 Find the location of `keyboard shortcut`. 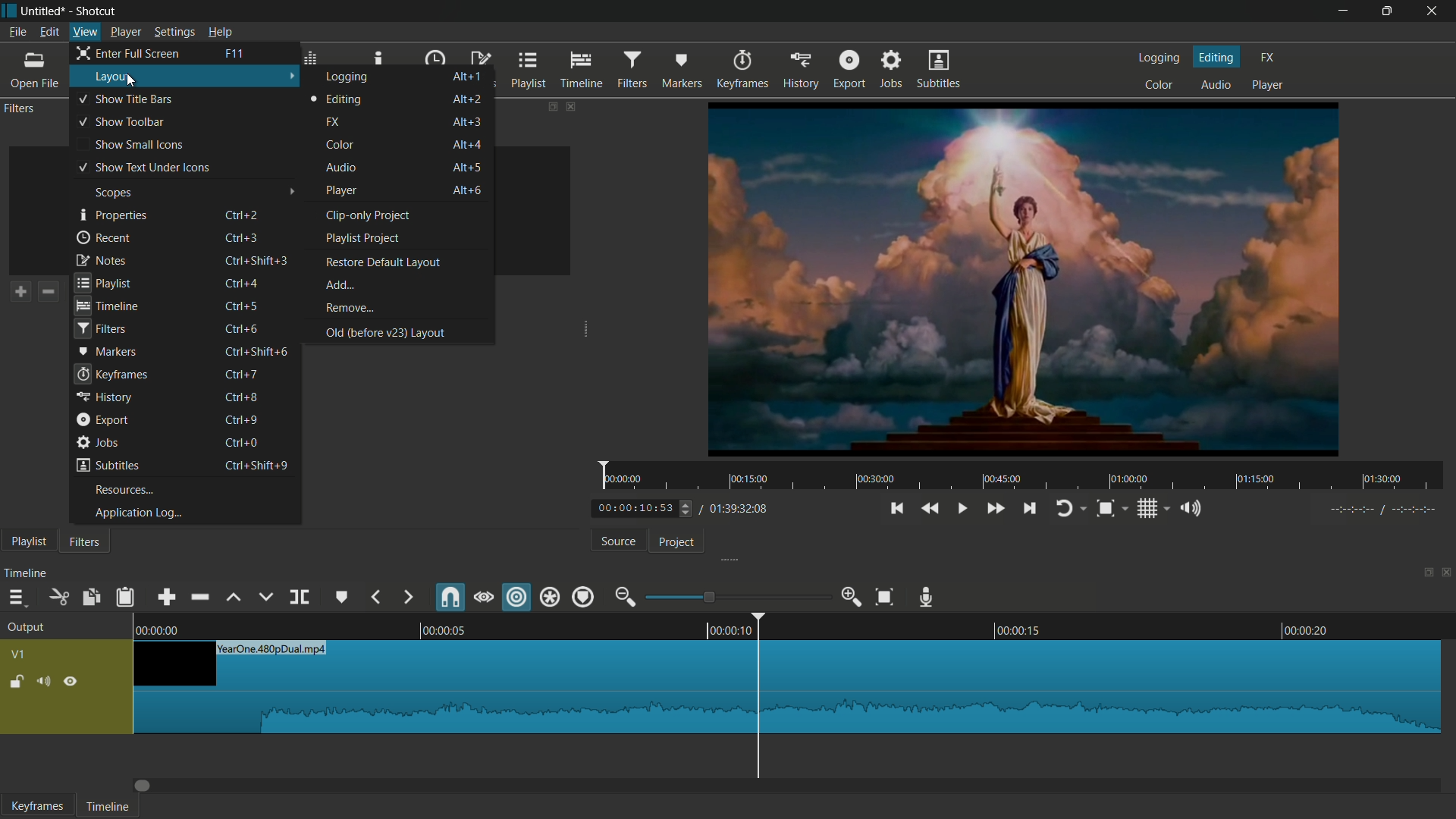

keyboard shortcut is located at coordinates (243, 307).